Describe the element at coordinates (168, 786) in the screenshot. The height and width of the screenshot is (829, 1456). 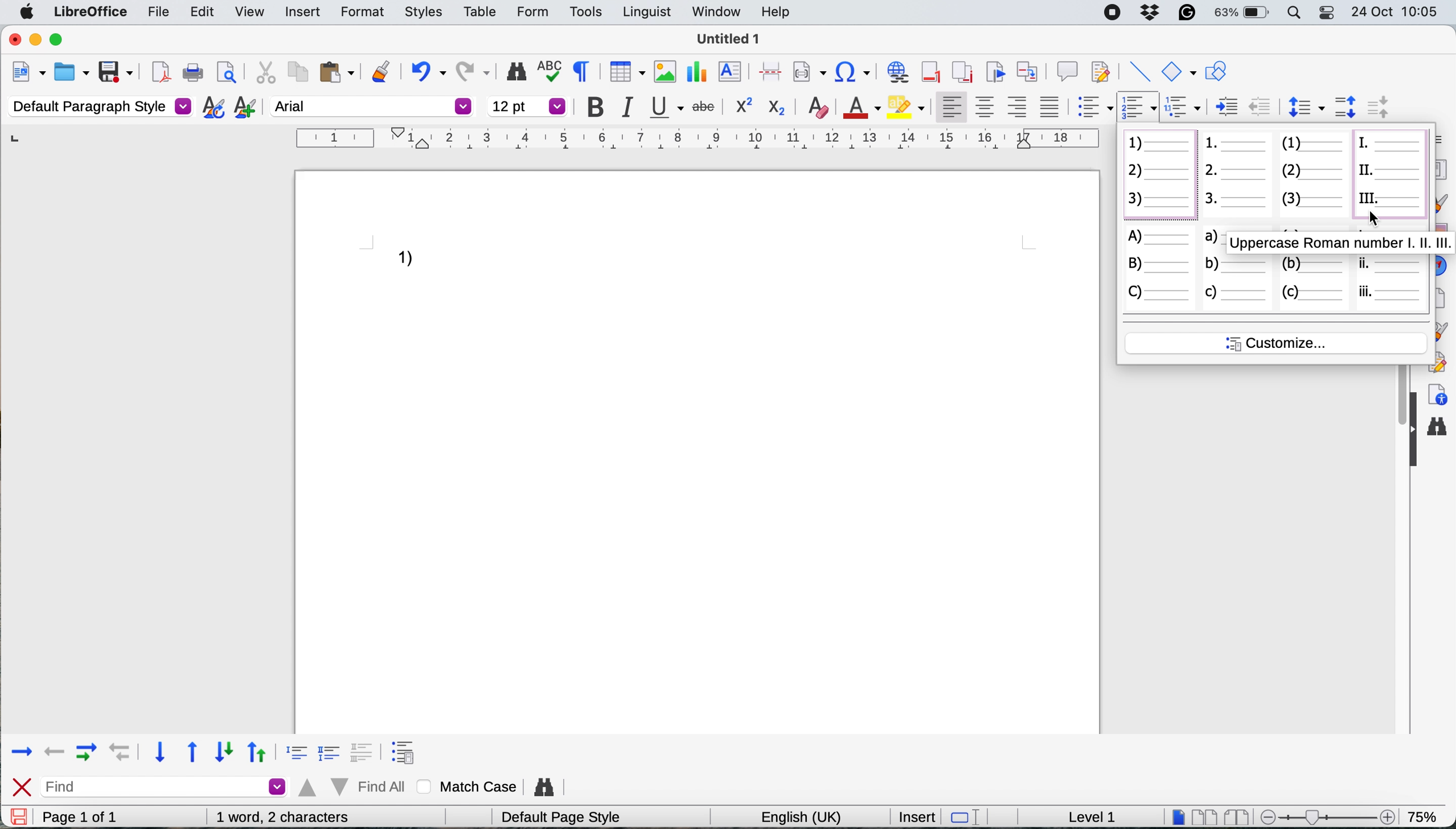
I see `find` at that location.